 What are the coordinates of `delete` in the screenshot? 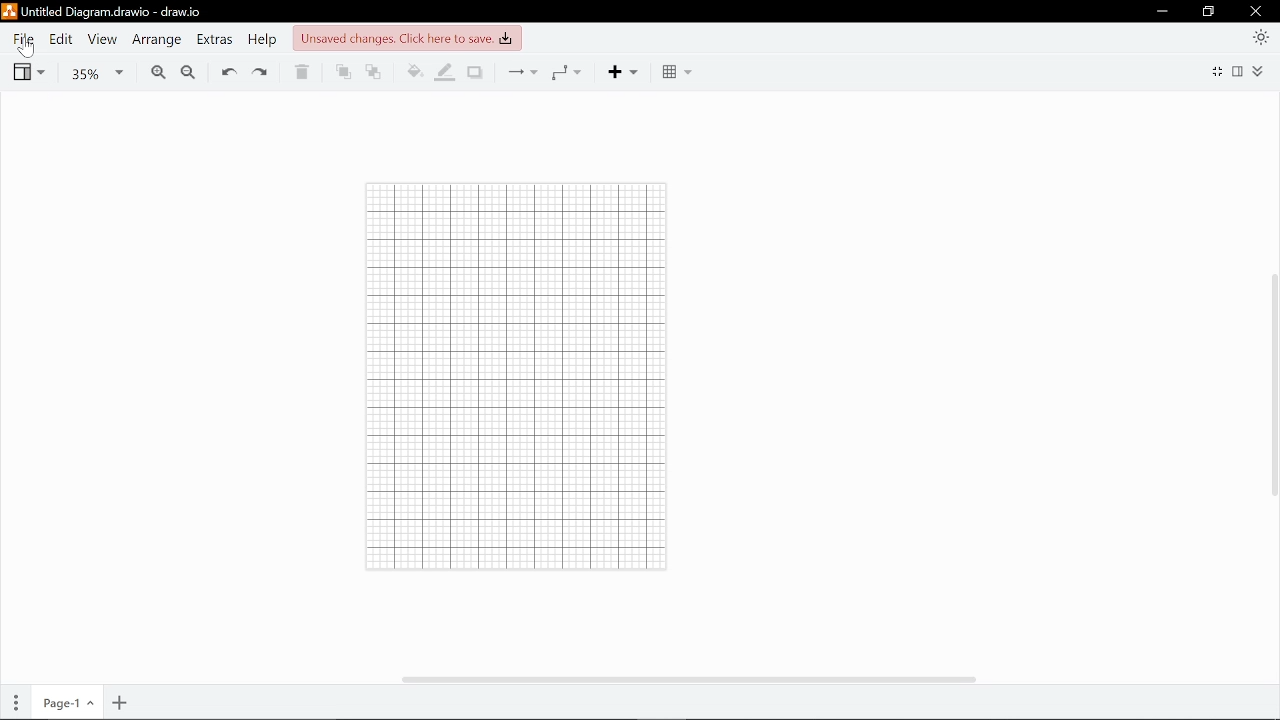 It's located at (300, 72).